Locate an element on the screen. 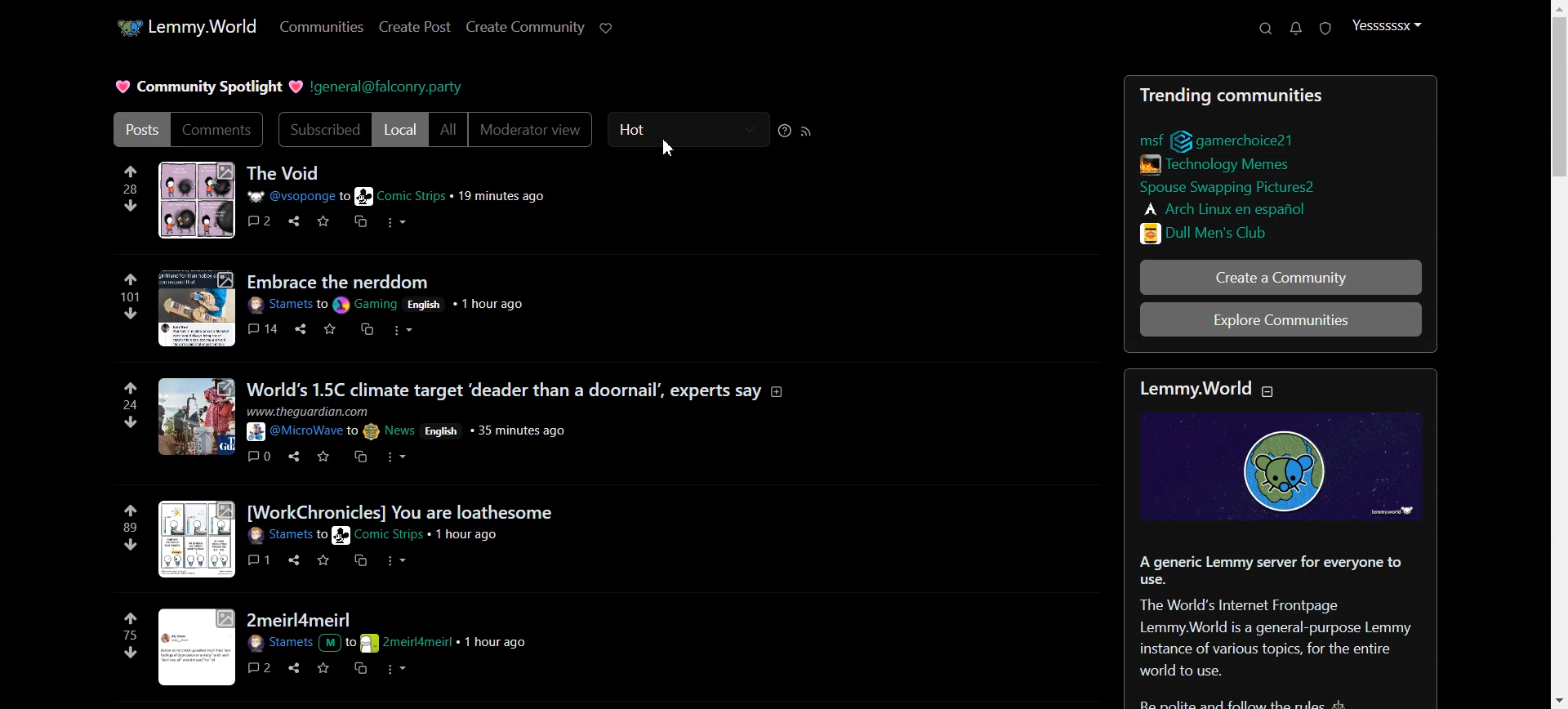  Home Page is located at coordinates (181, 26).